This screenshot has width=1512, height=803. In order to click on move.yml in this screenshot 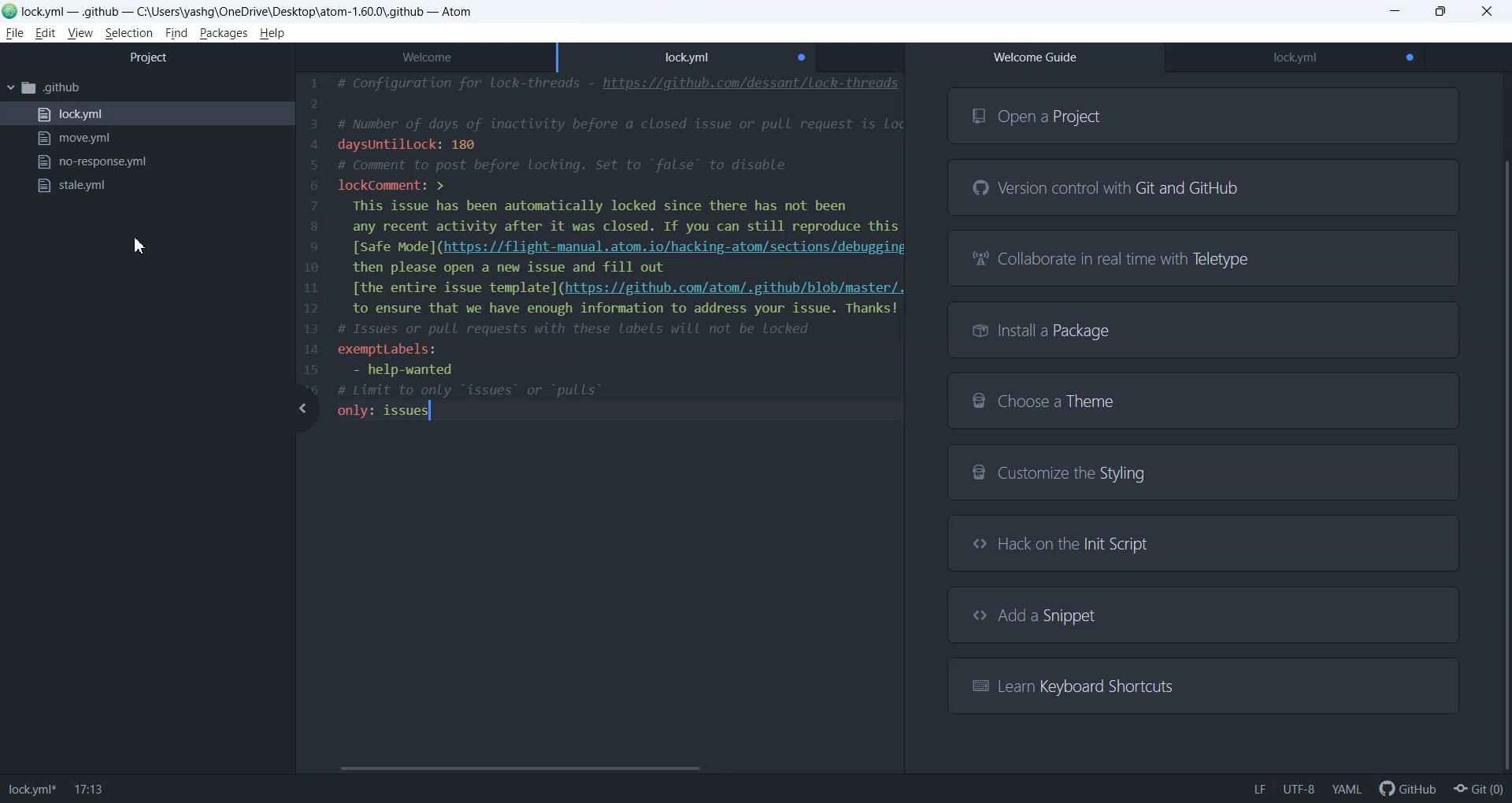, I will do `click(146, 139)`.